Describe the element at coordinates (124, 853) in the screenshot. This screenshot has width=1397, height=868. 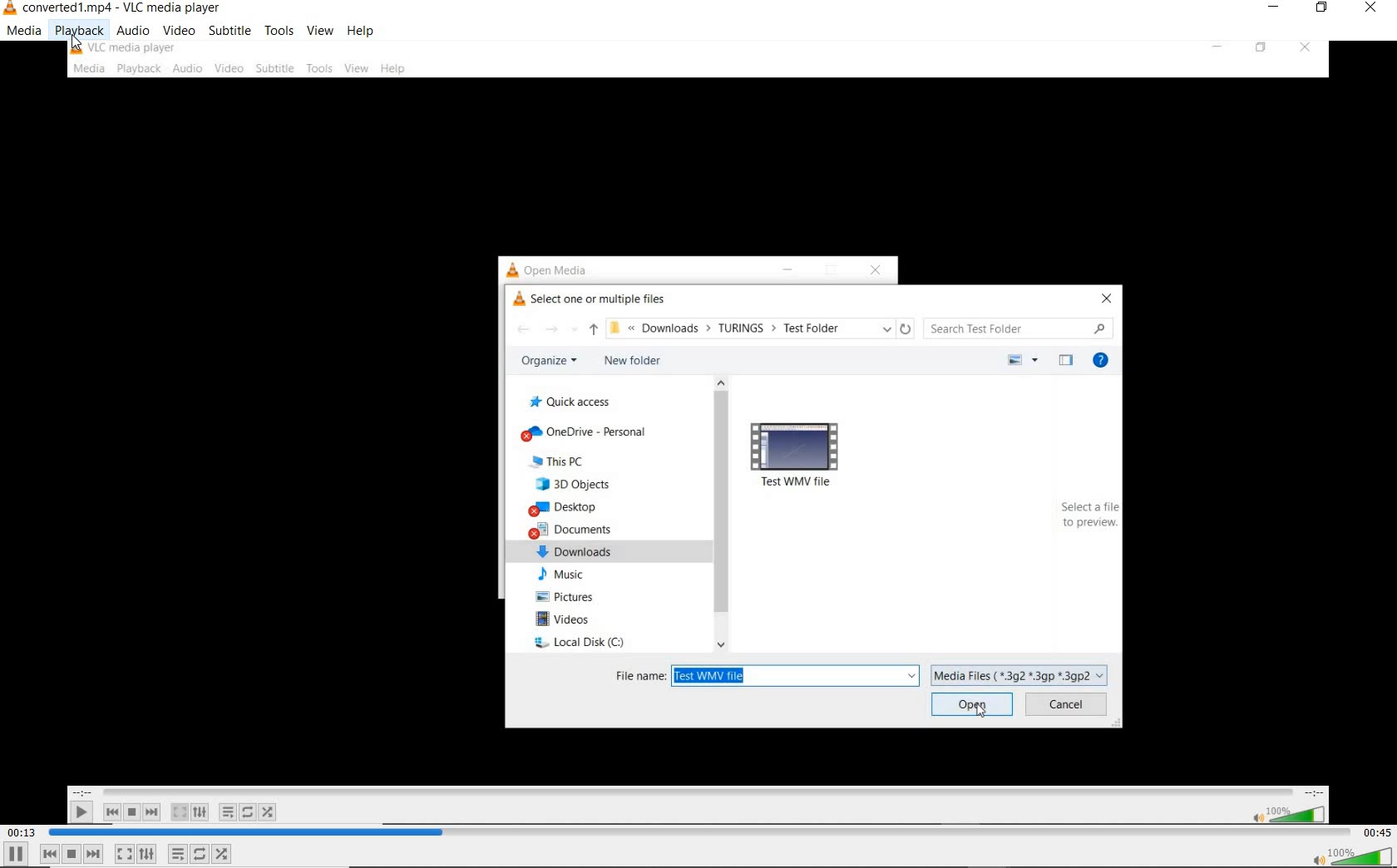
I see `toggle the video in full screen` at that location.